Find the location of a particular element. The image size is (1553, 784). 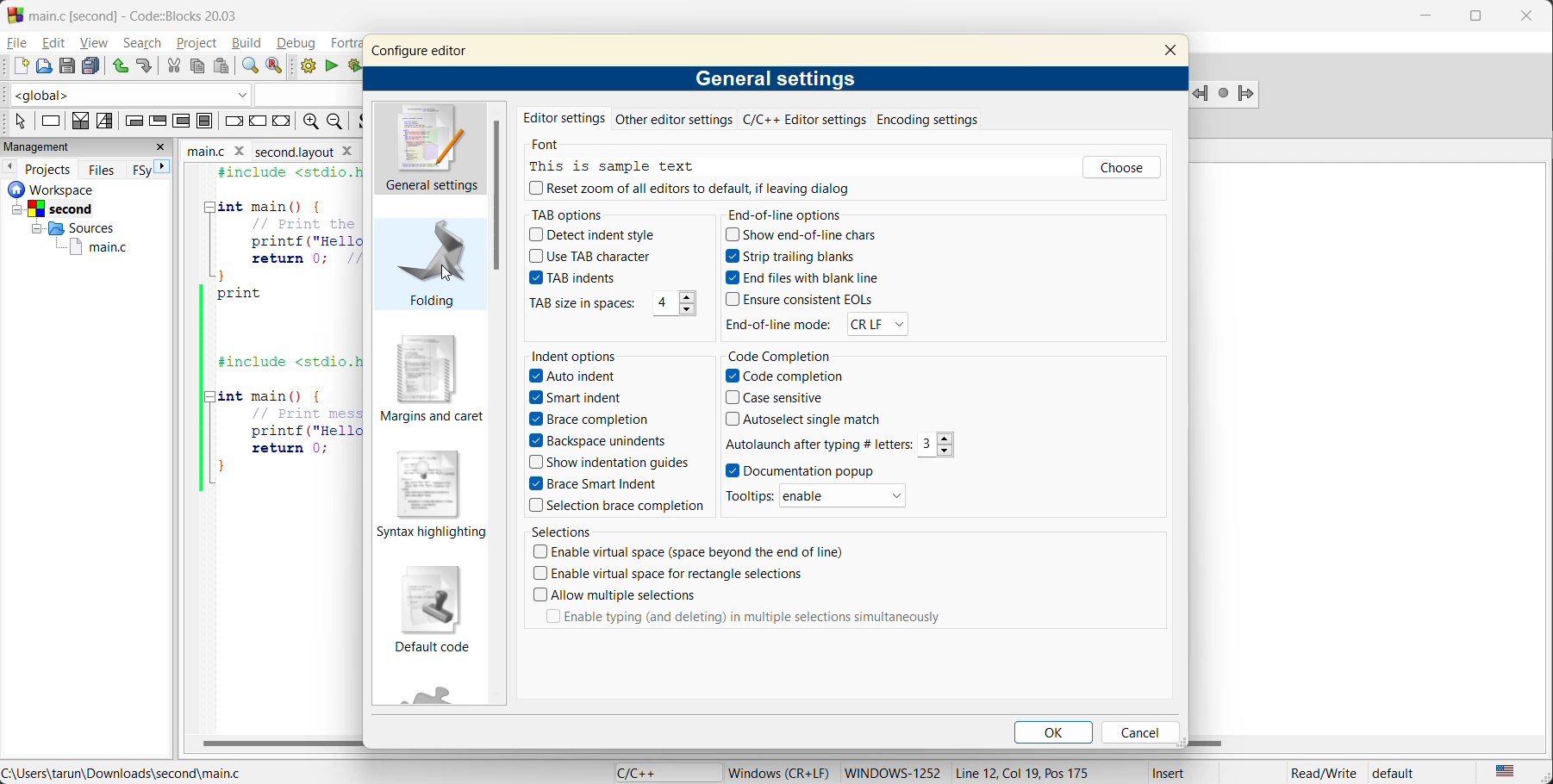

replace is located at coordinates (275, 65).